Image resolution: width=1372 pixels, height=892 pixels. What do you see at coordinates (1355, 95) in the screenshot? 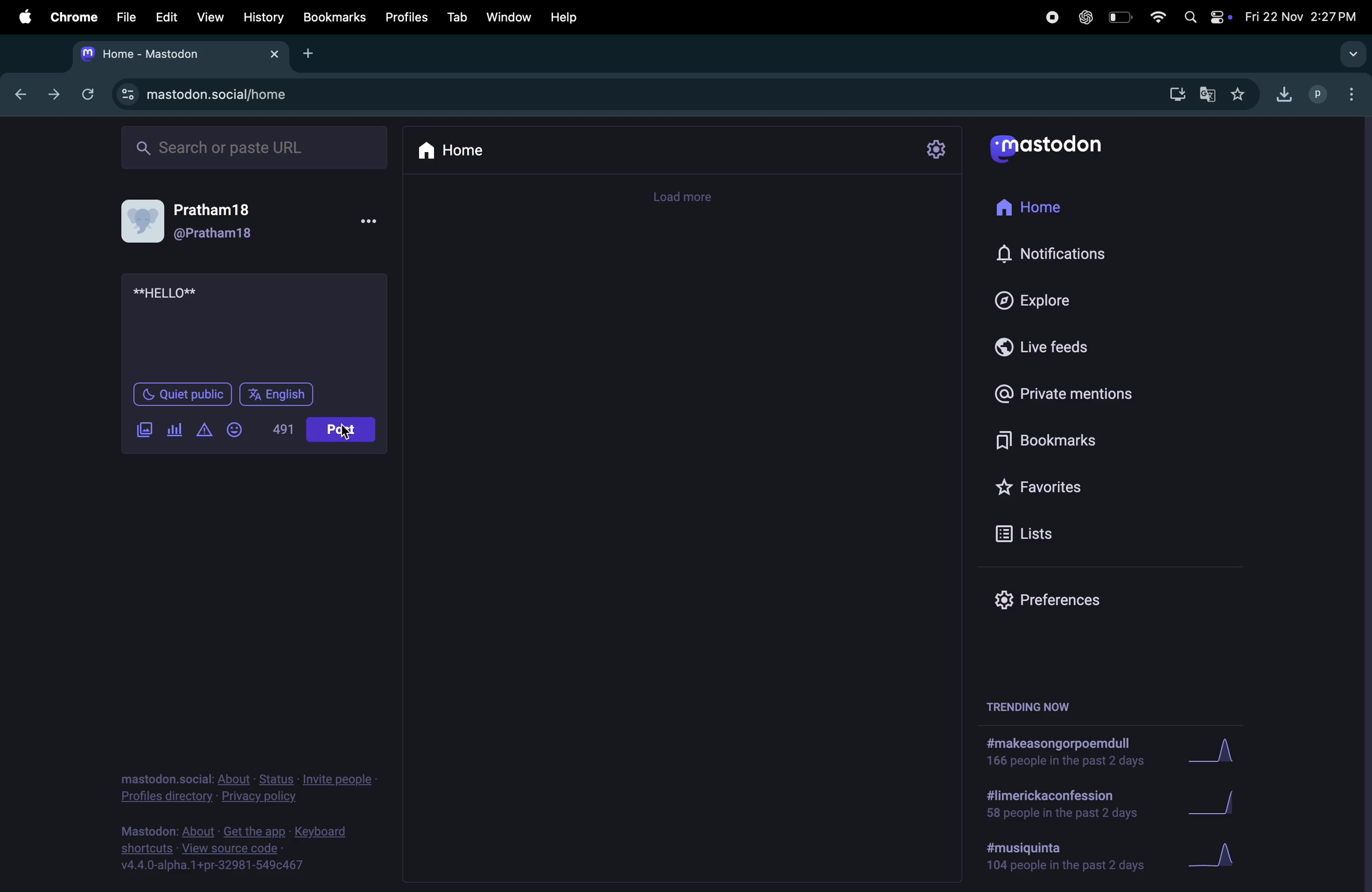
I see `options` at bounding box center [1355, 95].